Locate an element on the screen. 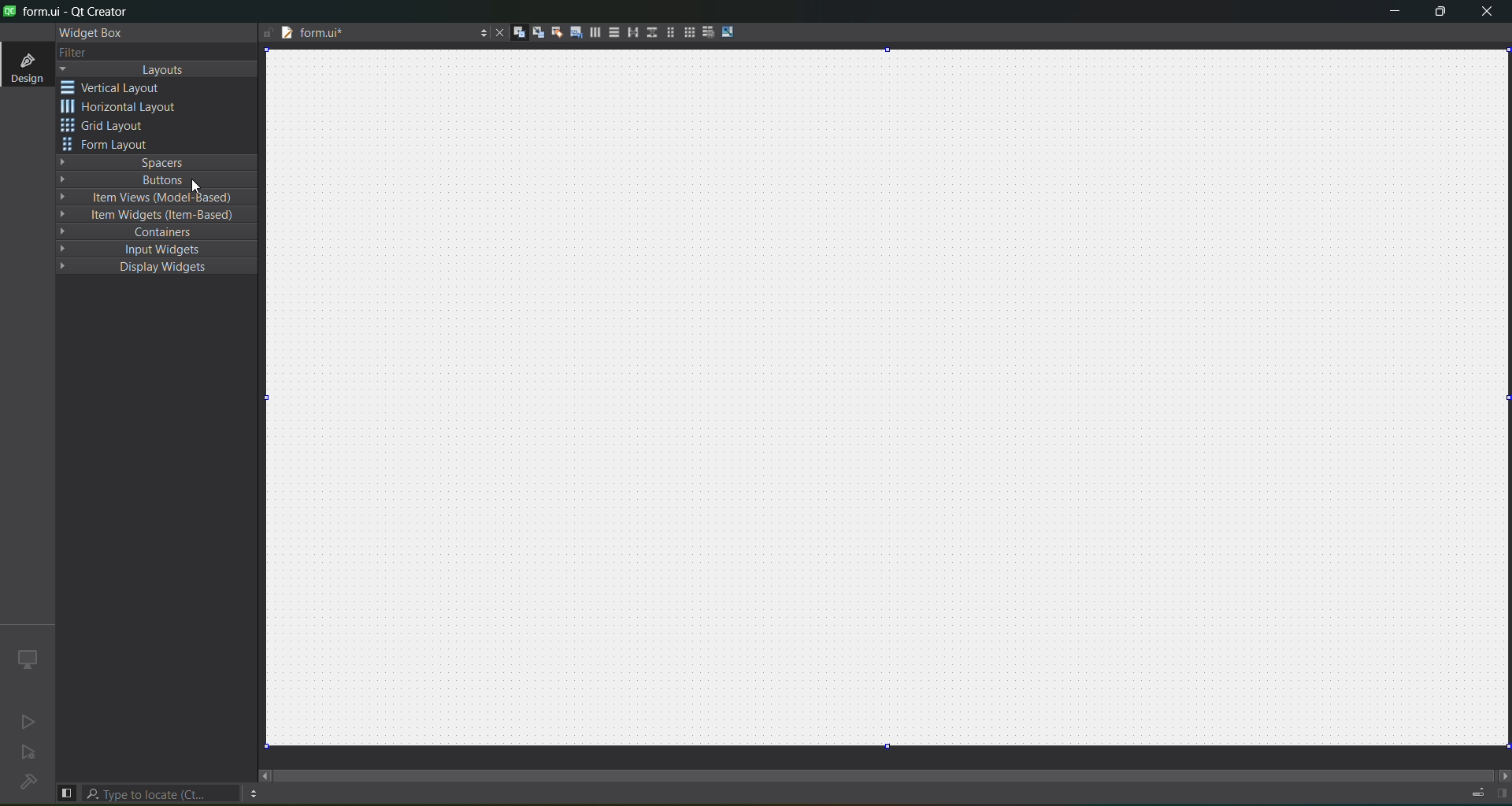 The width and height of the screenshot is (1512, 806). spaces is located at coordinates (157, 161).